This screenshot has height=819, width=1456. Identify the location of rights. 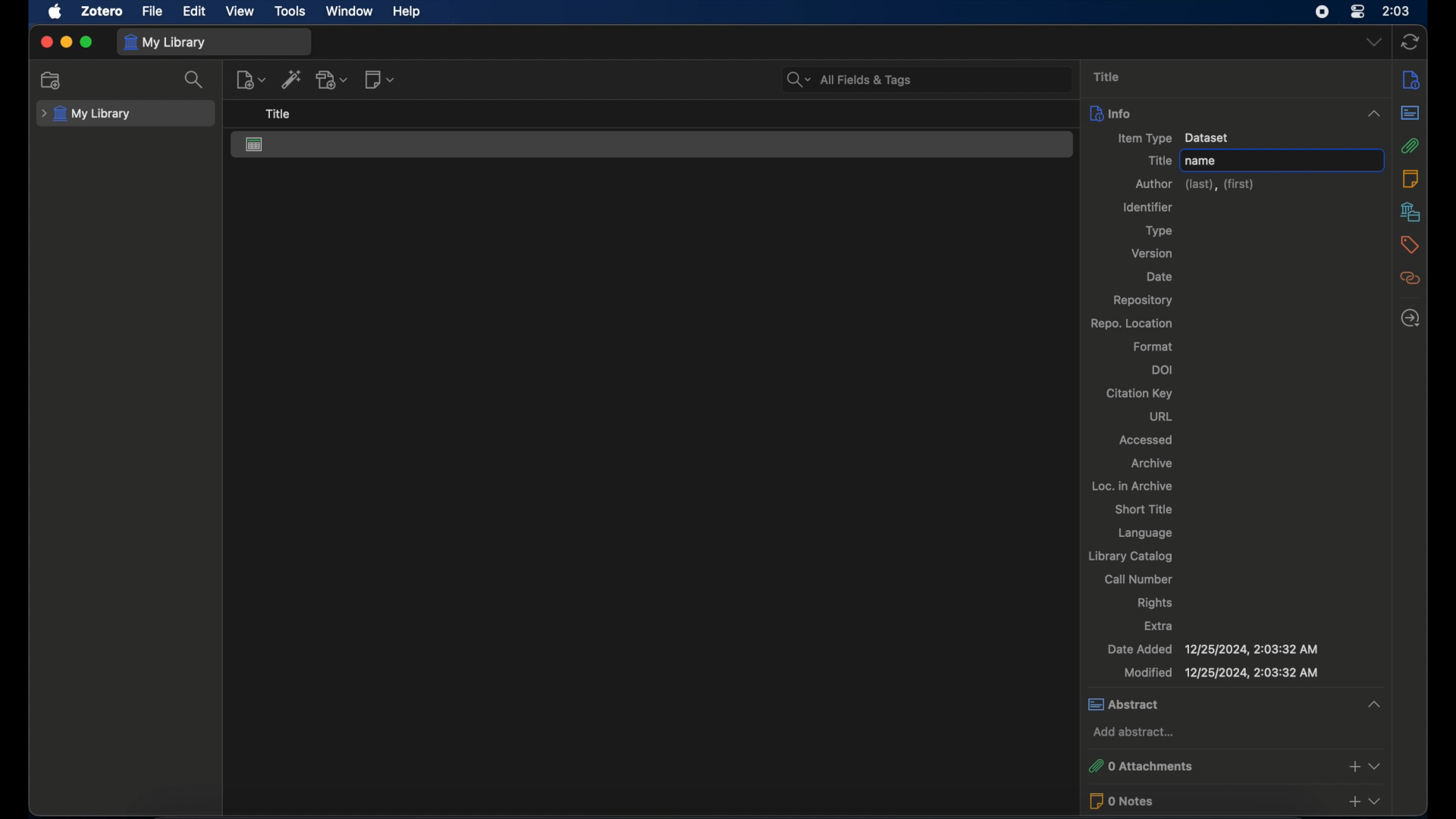
(1156, 603).